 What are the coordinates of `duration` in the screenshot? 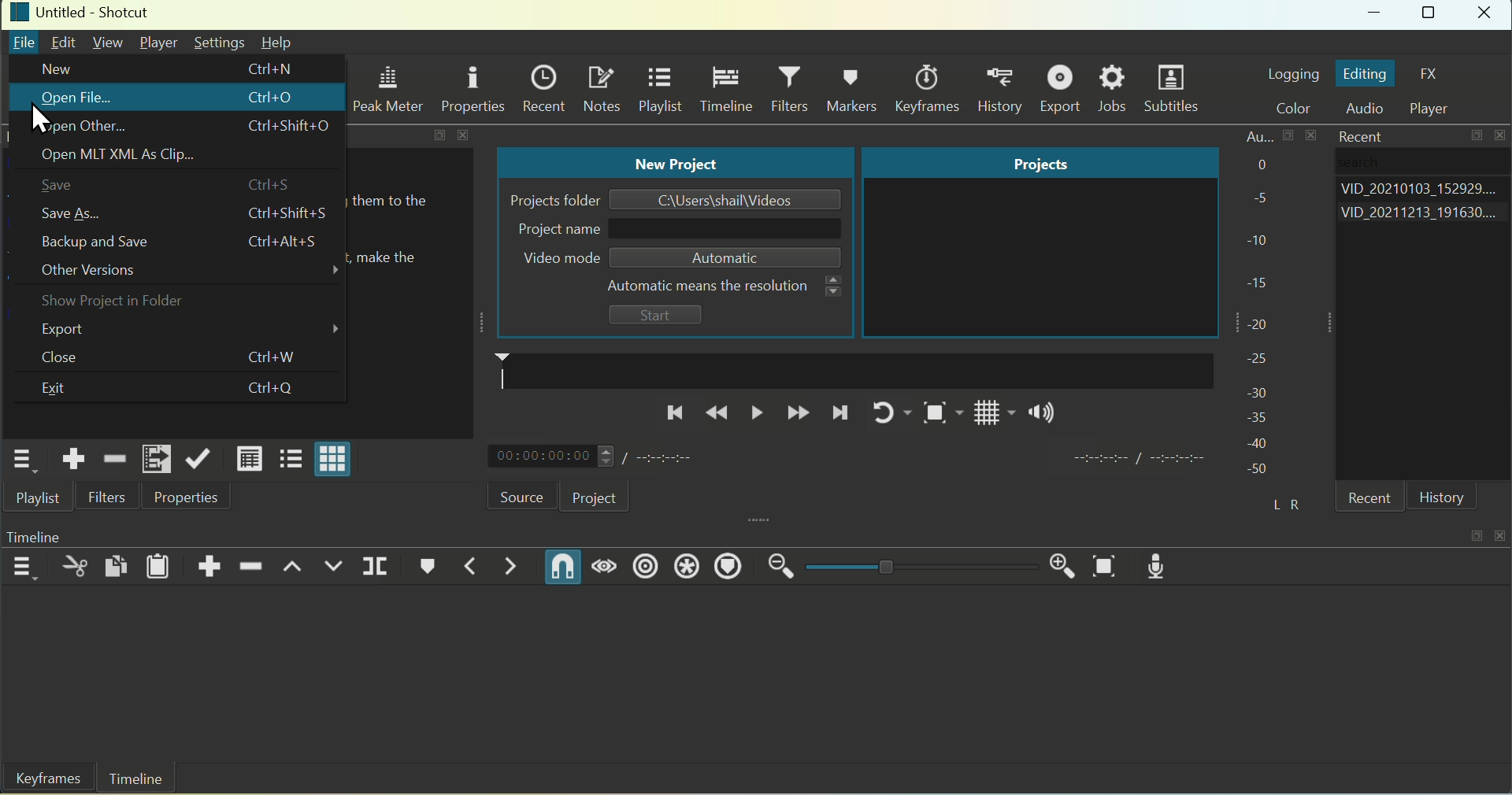 It's located at (661, 457).